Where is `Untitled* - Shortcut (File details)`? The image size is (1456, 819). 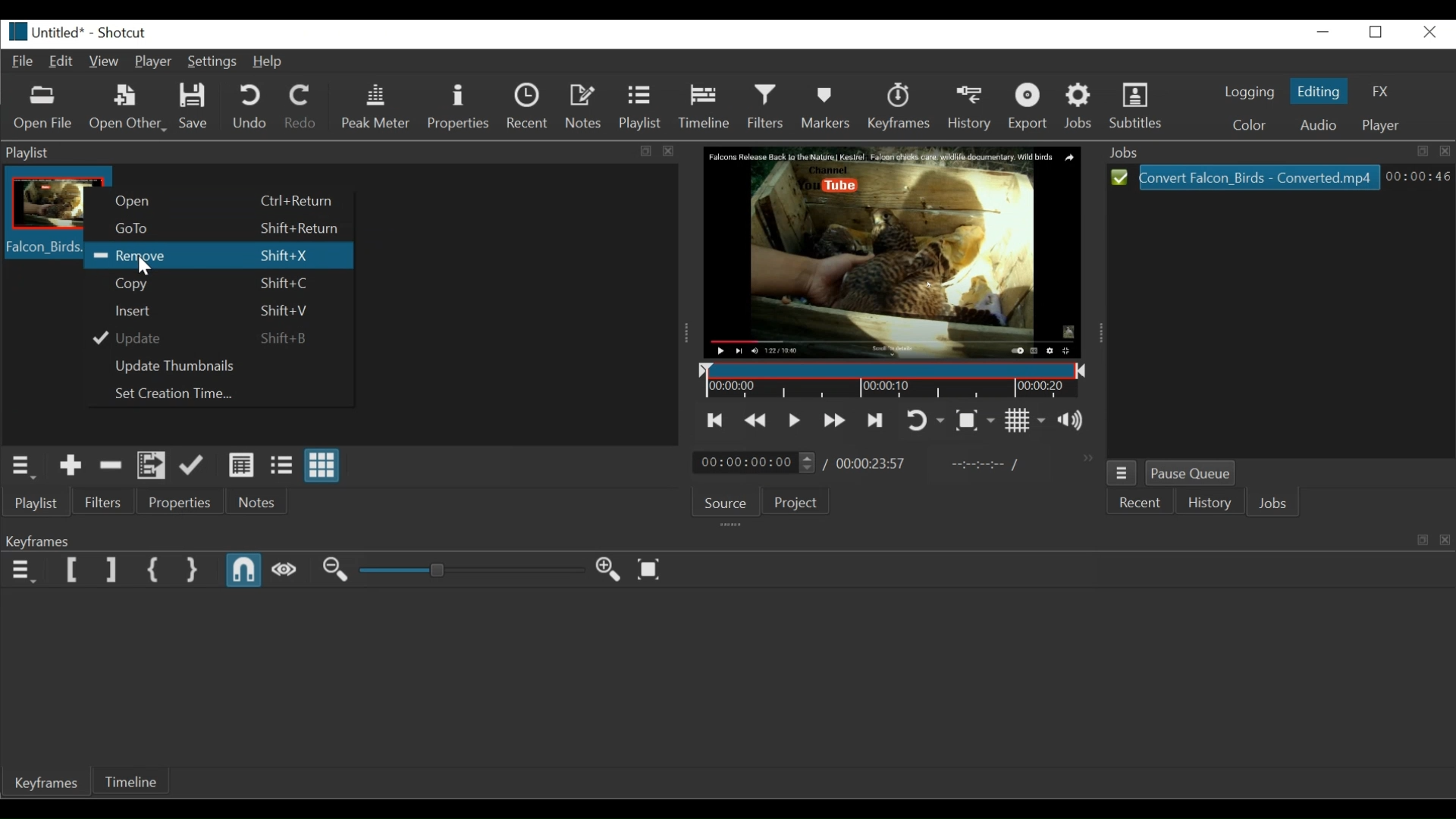 Untitled* - Shortcut (File details) is located at coordinates (75, 31).